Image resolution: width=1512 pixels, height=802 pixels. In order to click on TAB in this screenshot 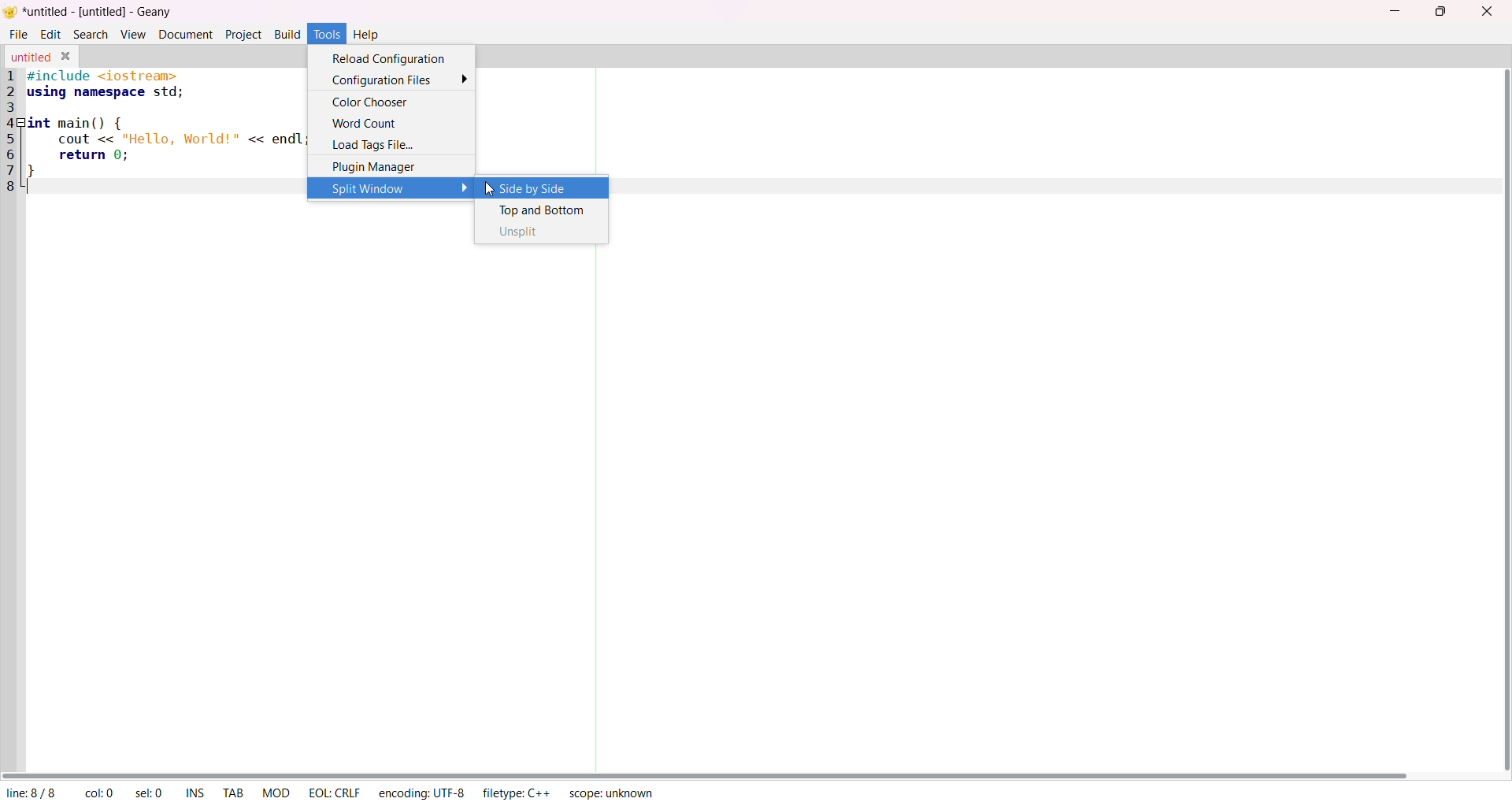, I will do `click(233, 793)`.